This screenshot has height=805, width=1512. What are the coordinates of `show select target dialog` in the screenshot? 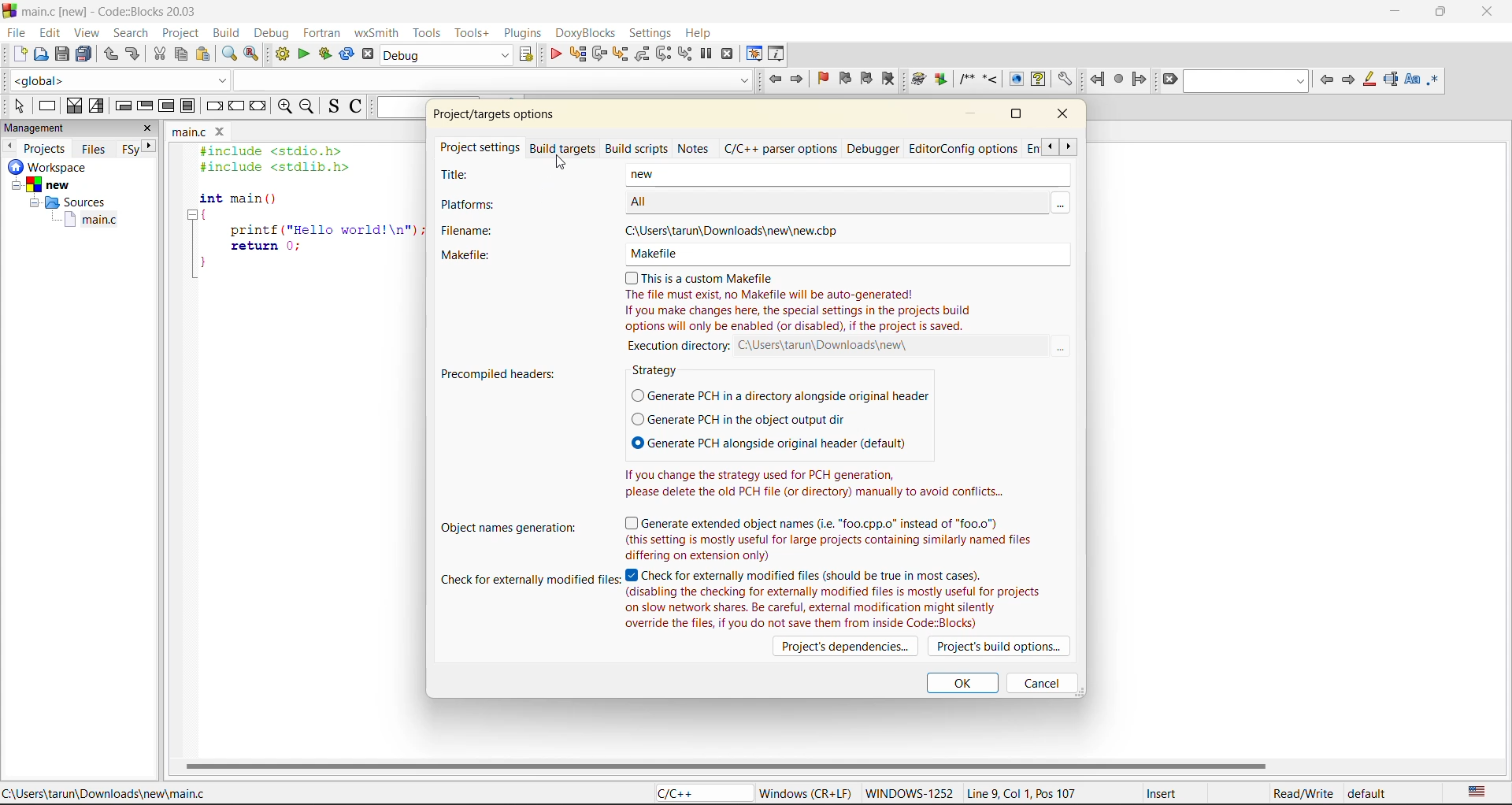 It's located at (525, 53).